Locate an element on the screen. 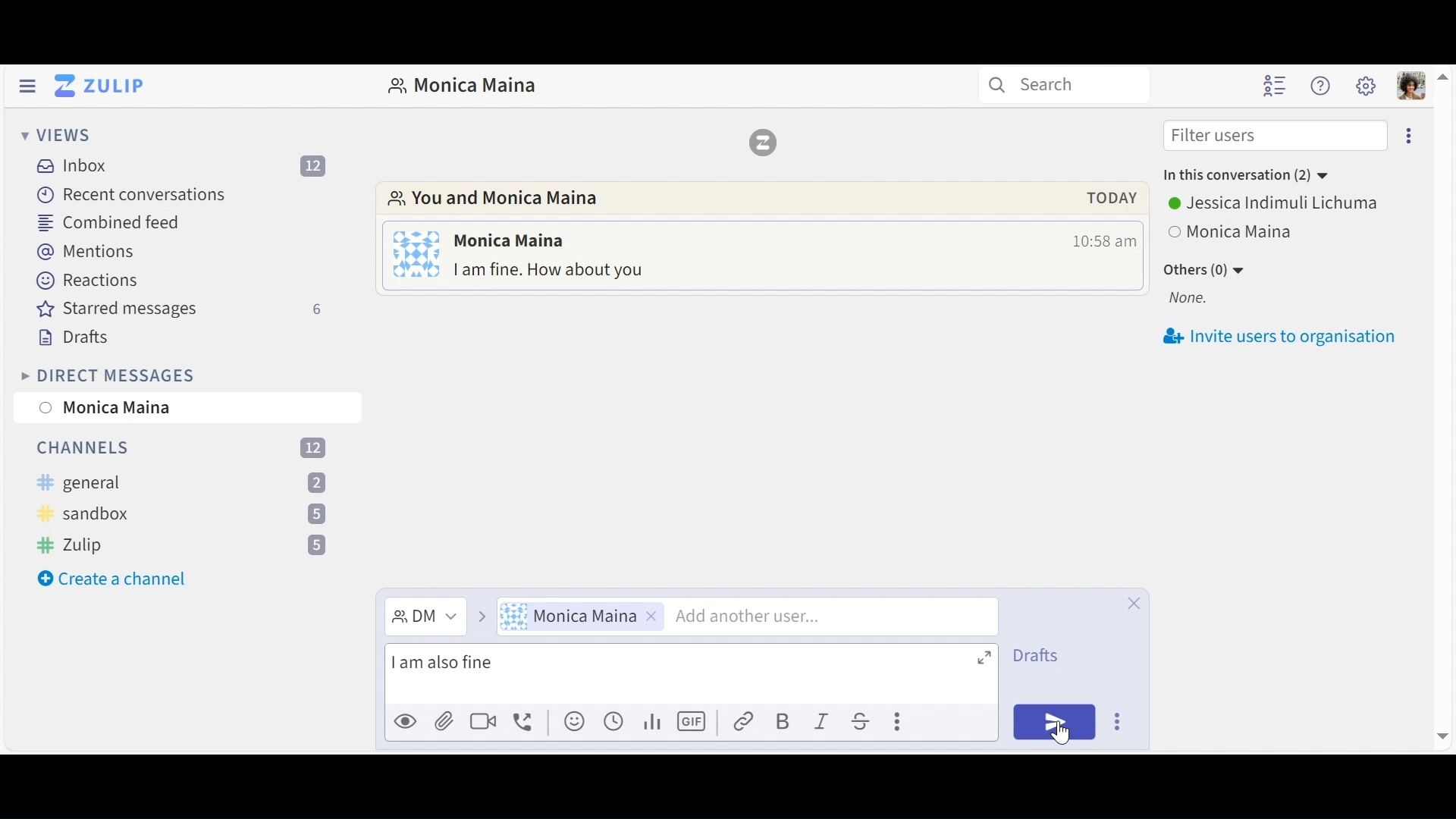  Direct message is located at coordinates (763, 261).